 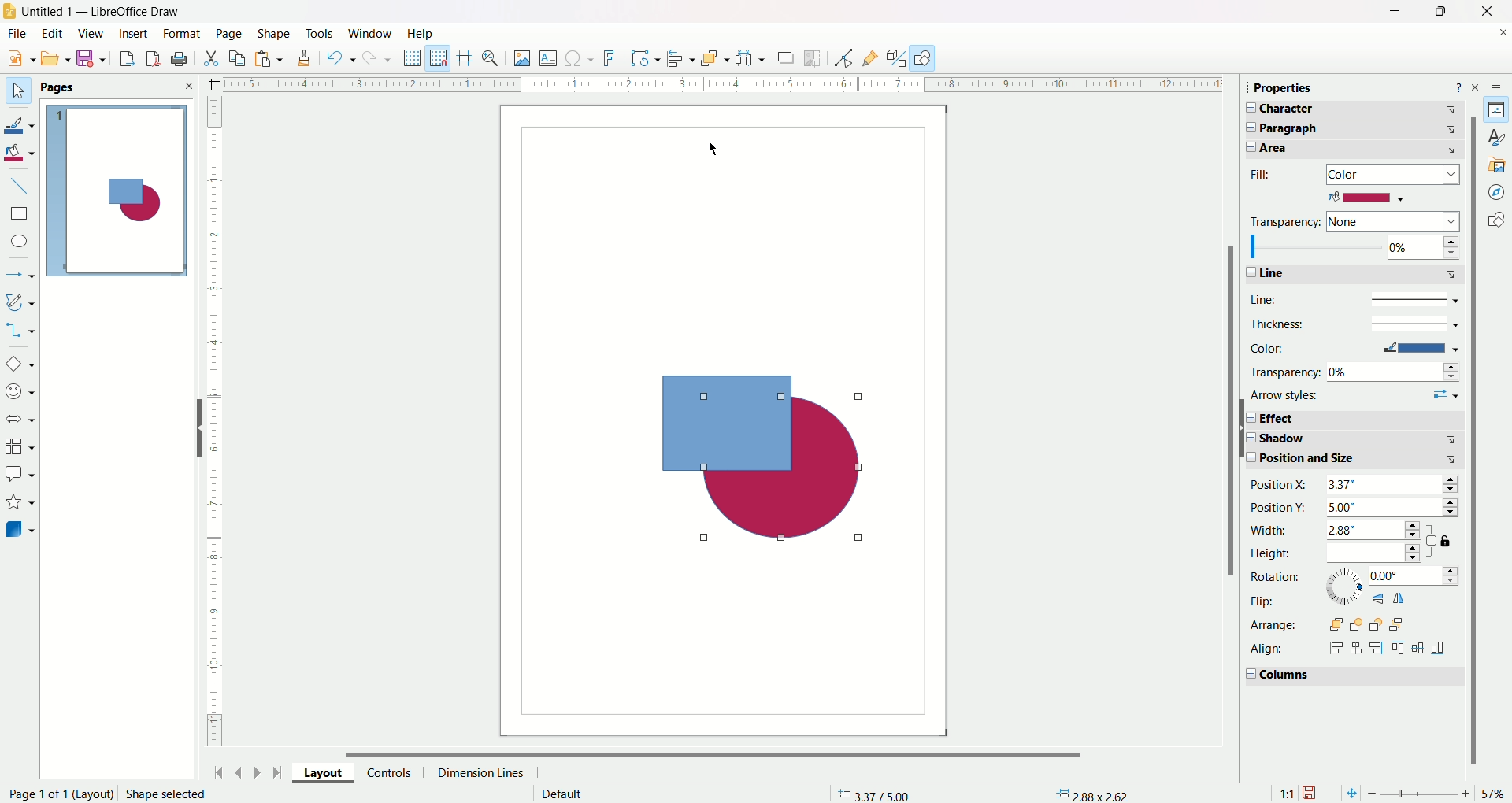 What do you see at coordinates (134, 33) in the screenshot?
I see `insert` at bounding box center [134, 33].